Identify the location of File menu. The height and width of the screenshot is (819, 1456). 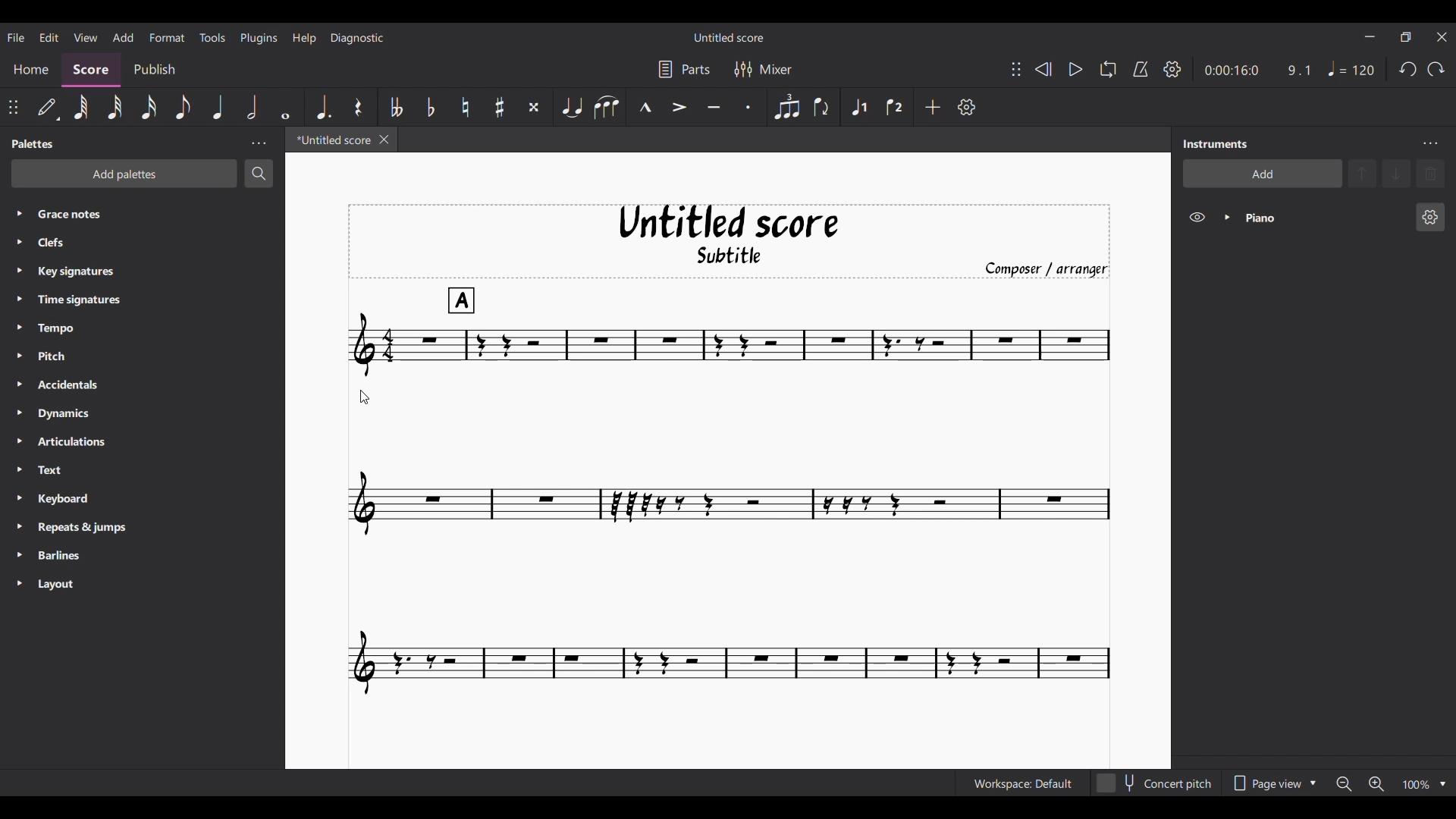
(15, 37).